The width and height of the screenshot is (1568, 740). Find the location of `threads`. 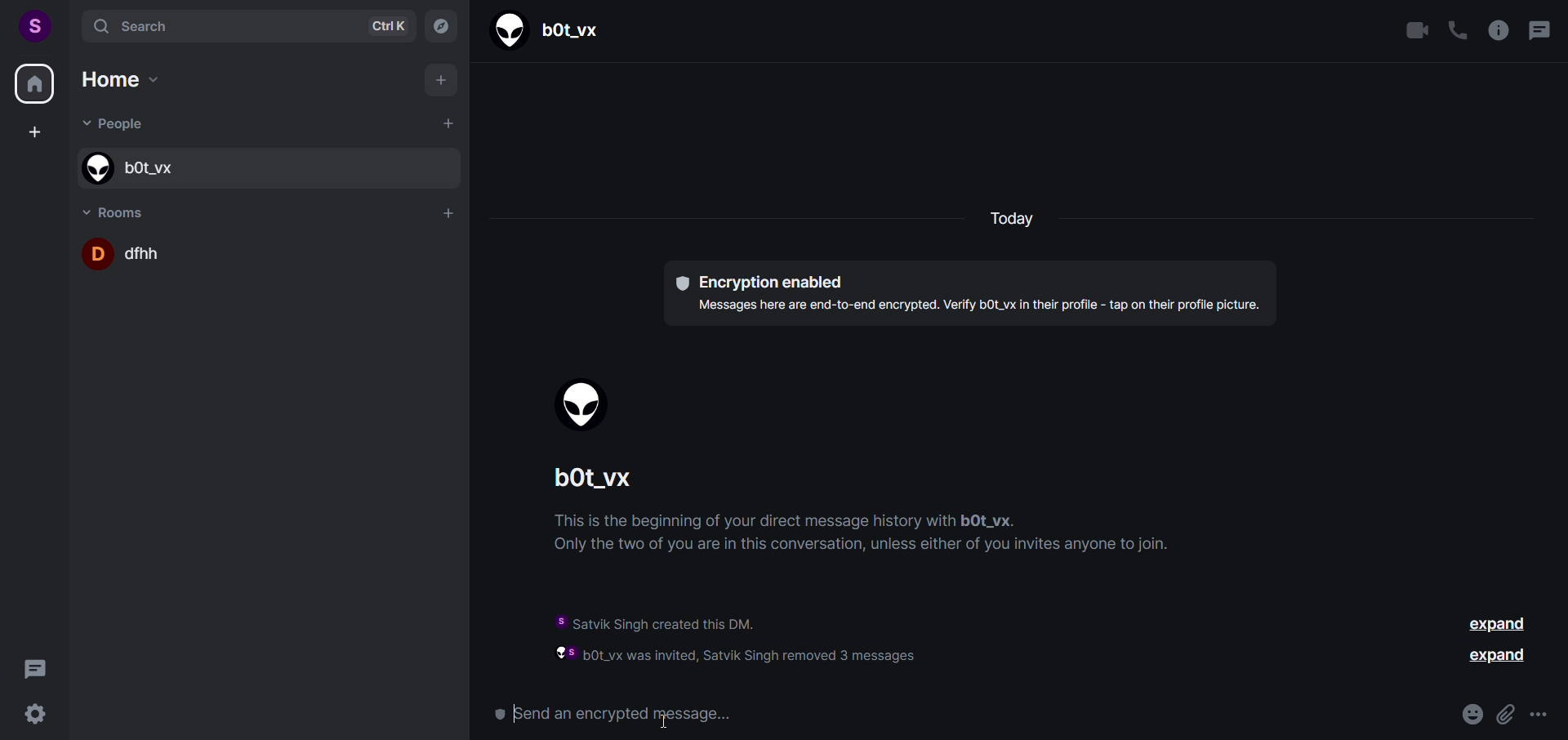

threads is located at coordinates (1538, 33).